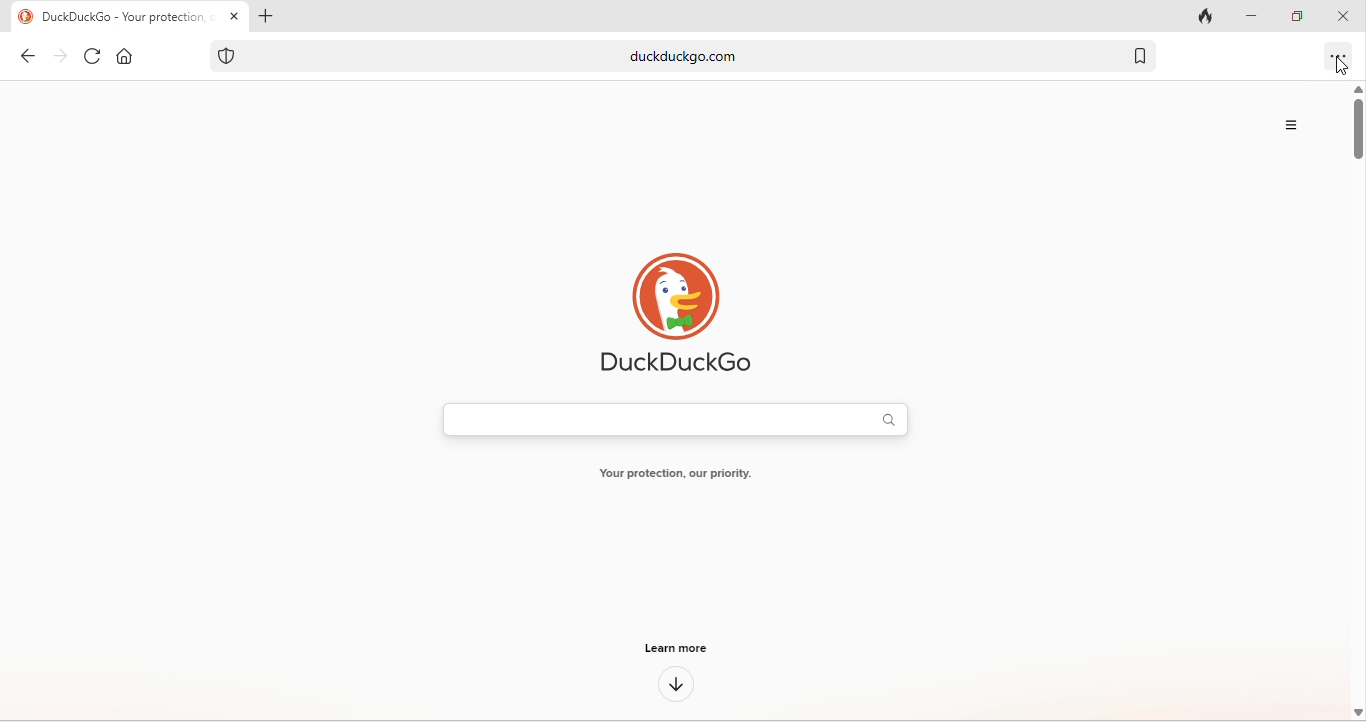 This screenshot has width=1366, height=722. What do you see at coordinates (237, 15) in the screenshot?
I see `close` at bounding box center [237, 15].